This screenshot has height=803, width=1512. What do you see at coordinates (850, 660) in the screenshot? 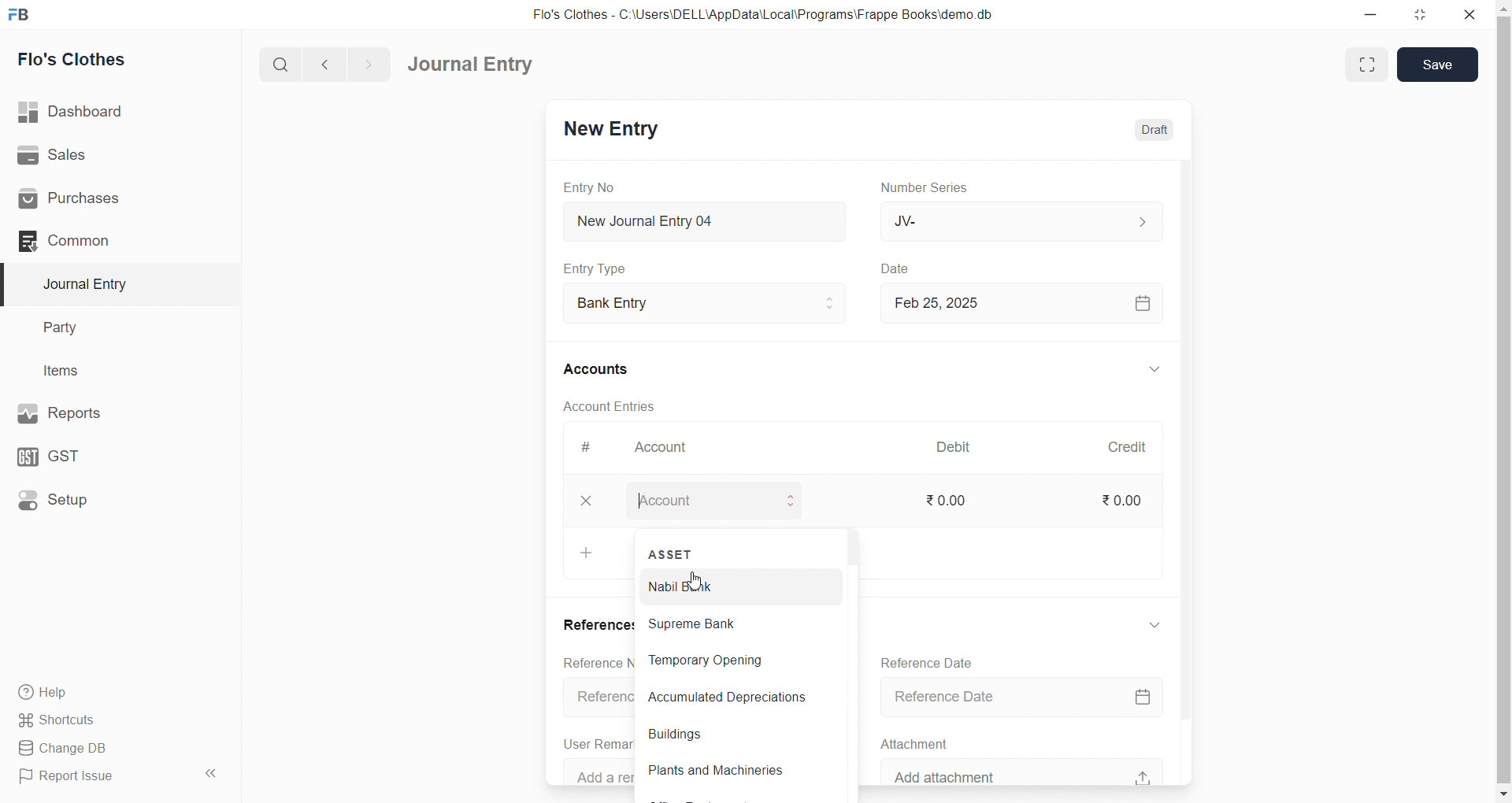
I see `scrollbar` at bounding box center [850, 660].